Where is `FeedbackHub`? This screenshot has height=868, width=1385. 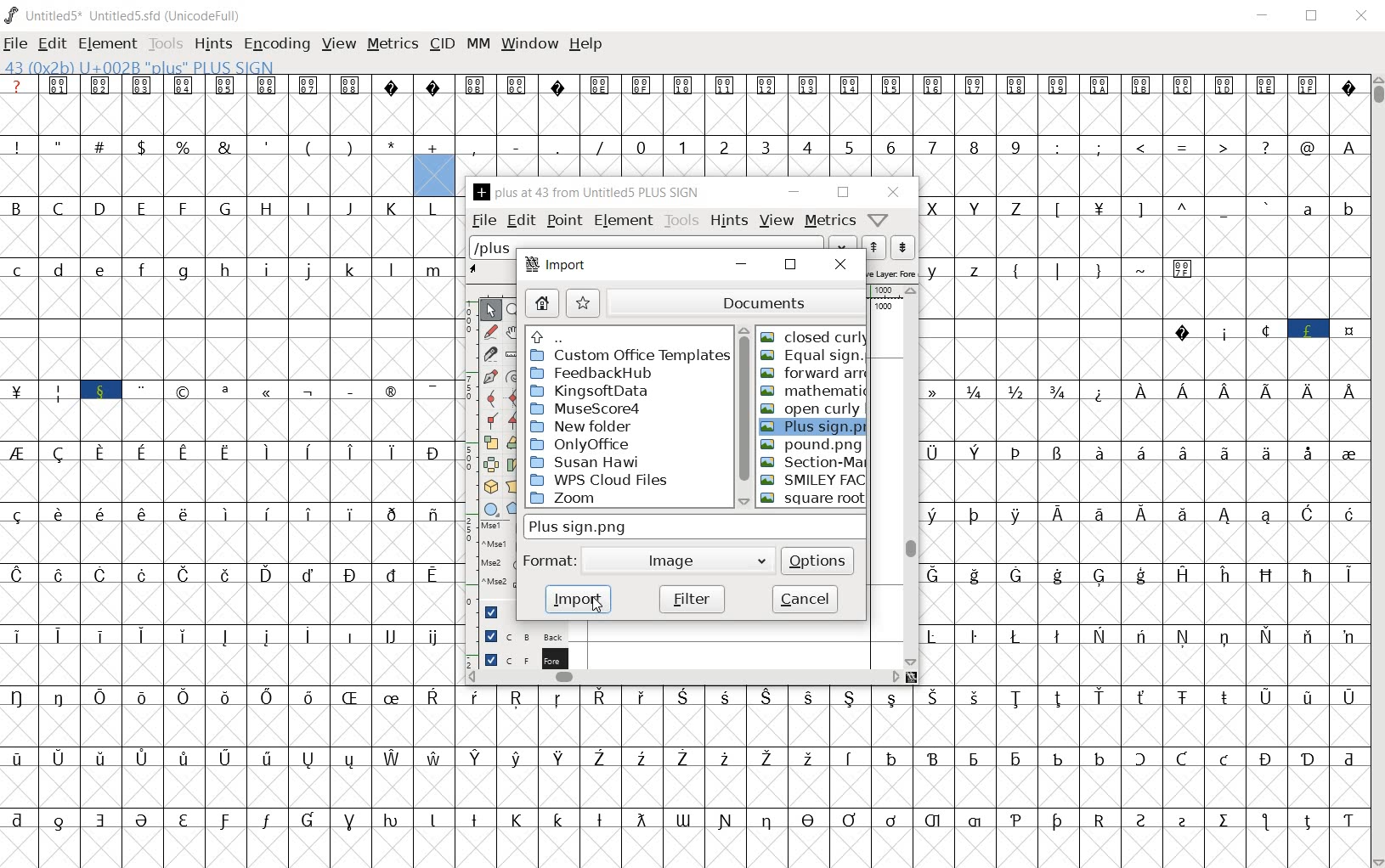
FeedbackHub is located at coordinates (591, 372).